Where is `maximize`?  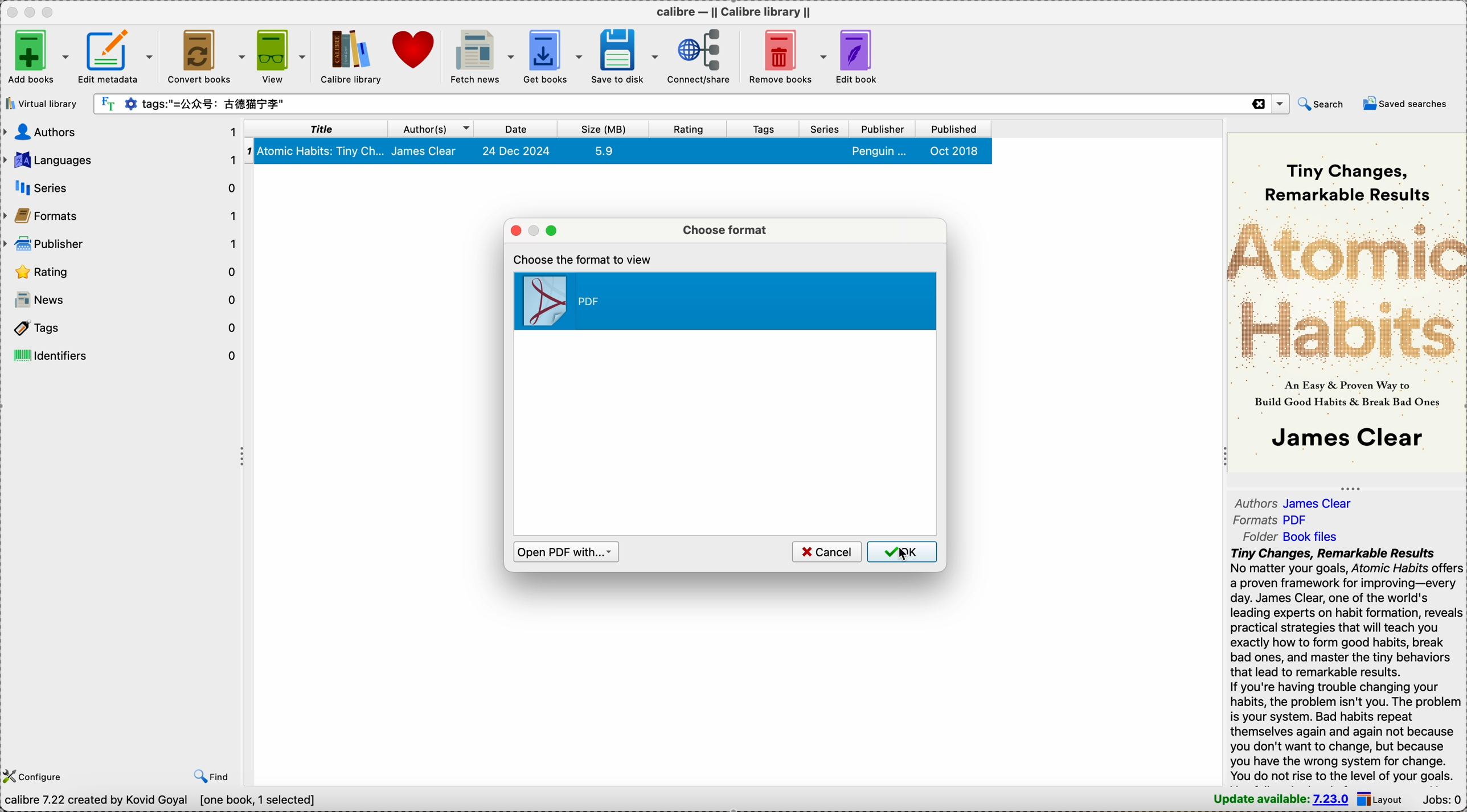
maximize is located at coordinates (49, 12).